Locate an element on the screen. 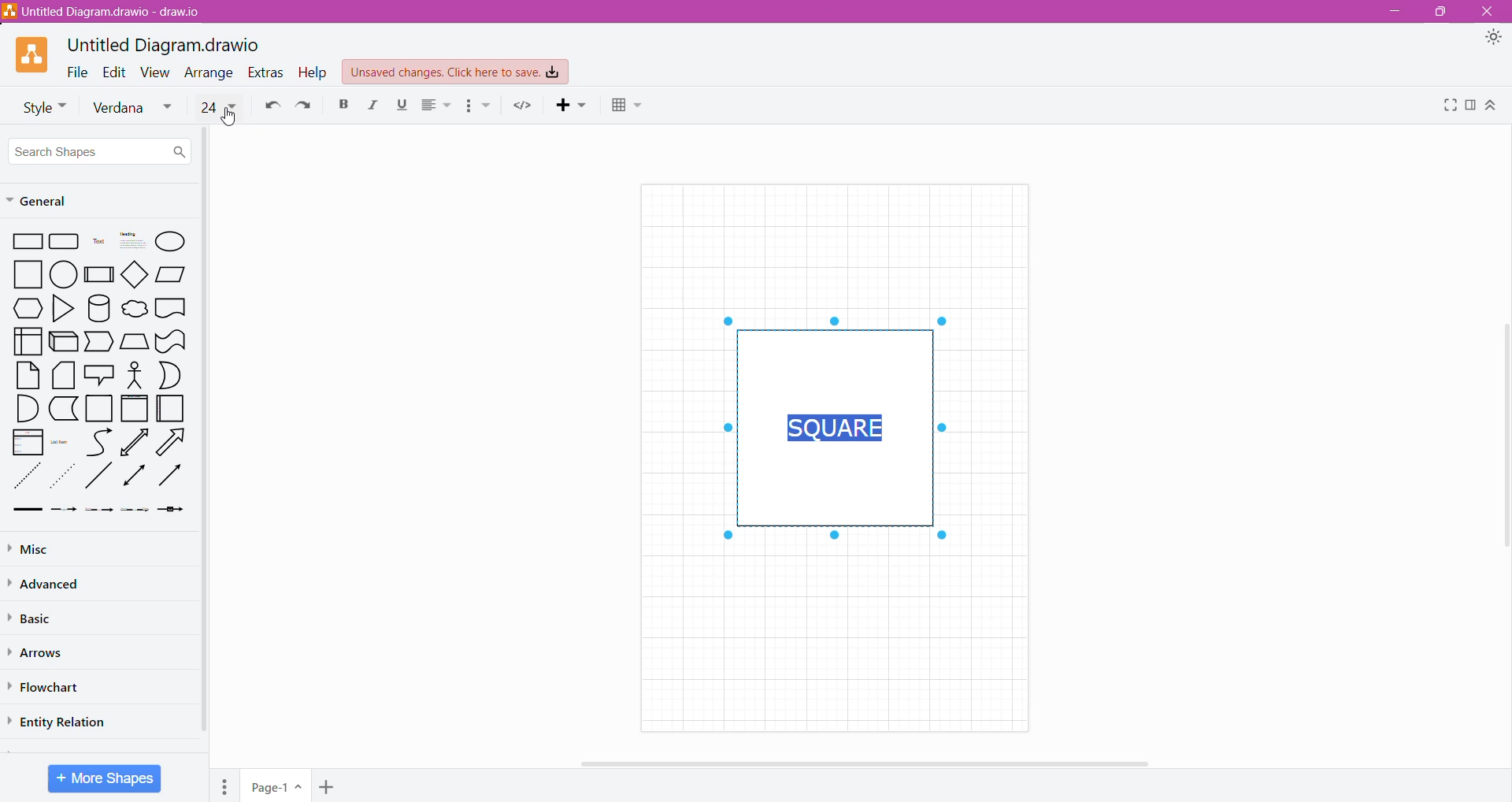 The height and width of the screenshot is (802, 1512). wavy retangle is located at coordinates (172, 340).